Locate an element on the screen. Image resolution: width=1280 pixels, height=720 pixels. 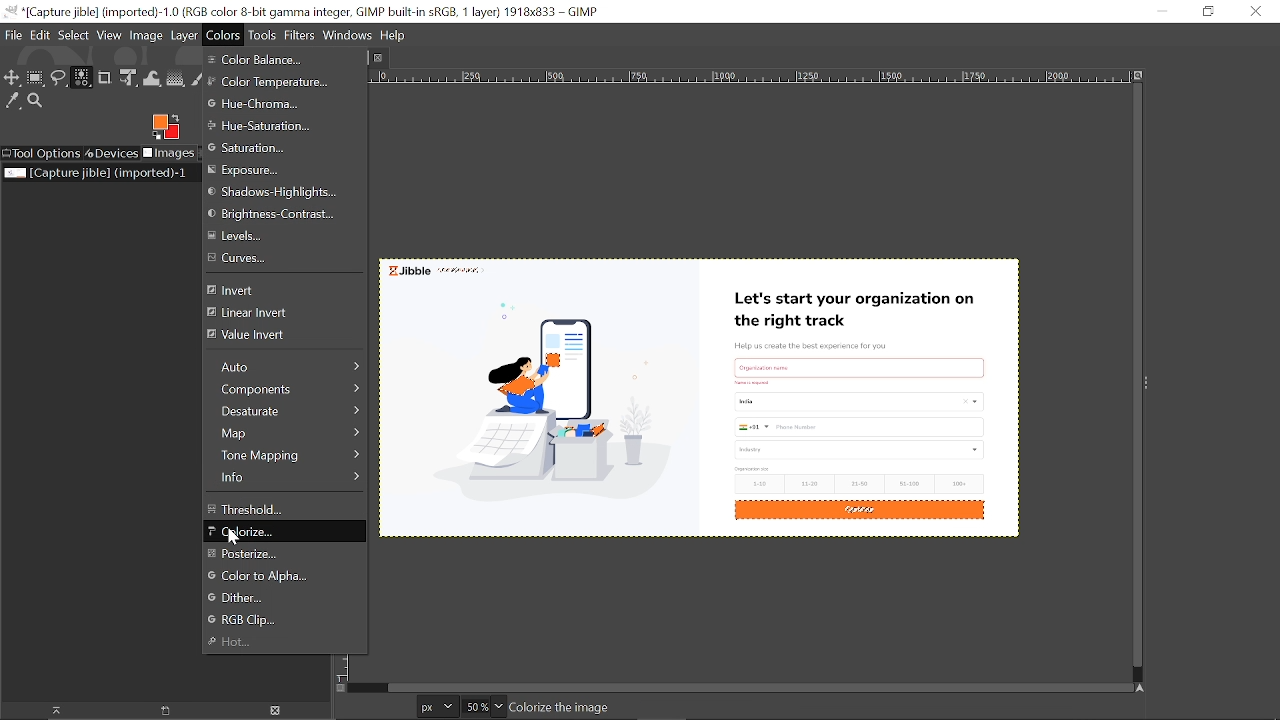
Color to alpha is located at coordinates (268, 577).